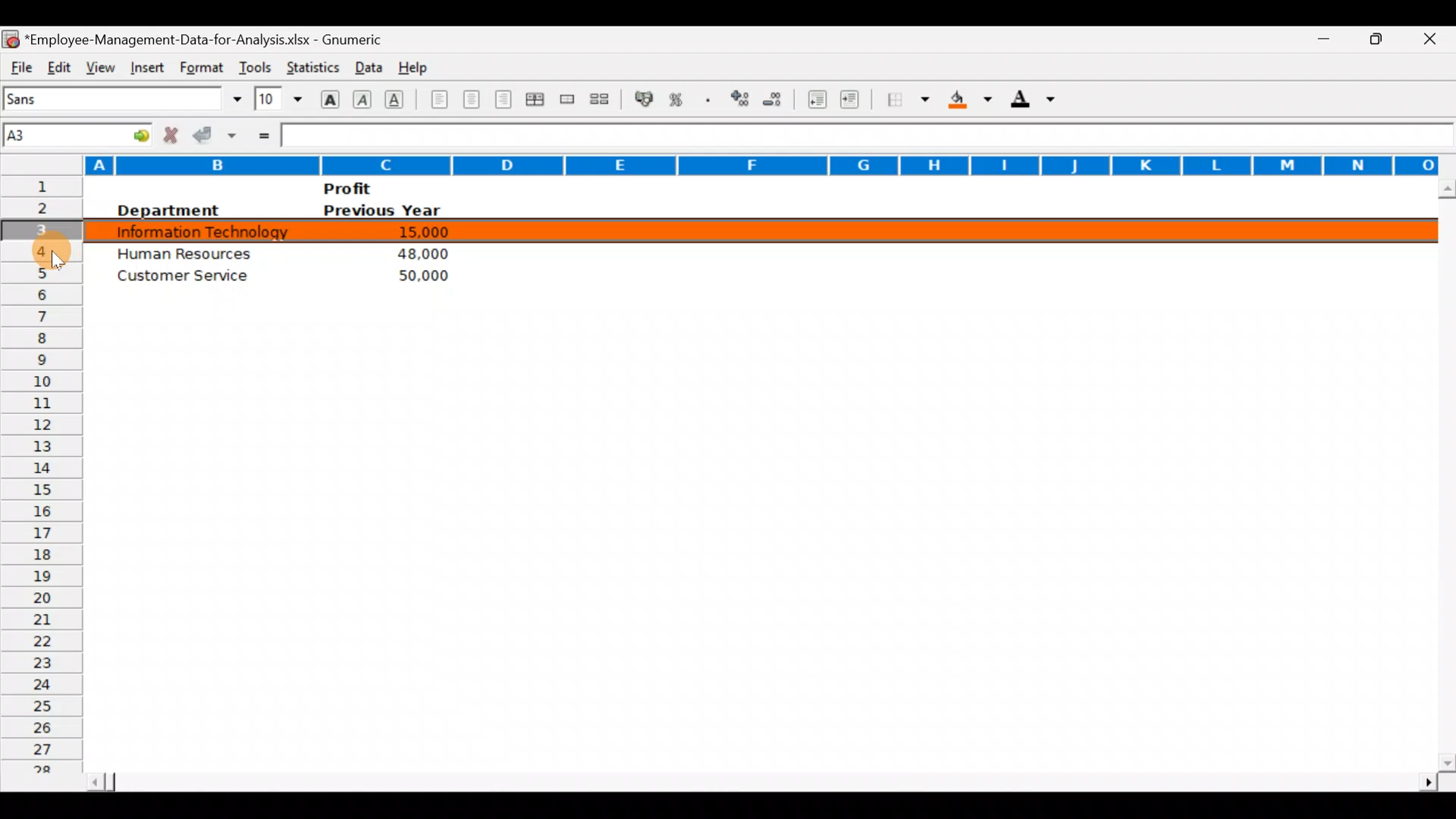 The image size is (1456, 819). Describe the element at coordinates (58, 65) in the screenshot. I see `Edit` at that location.